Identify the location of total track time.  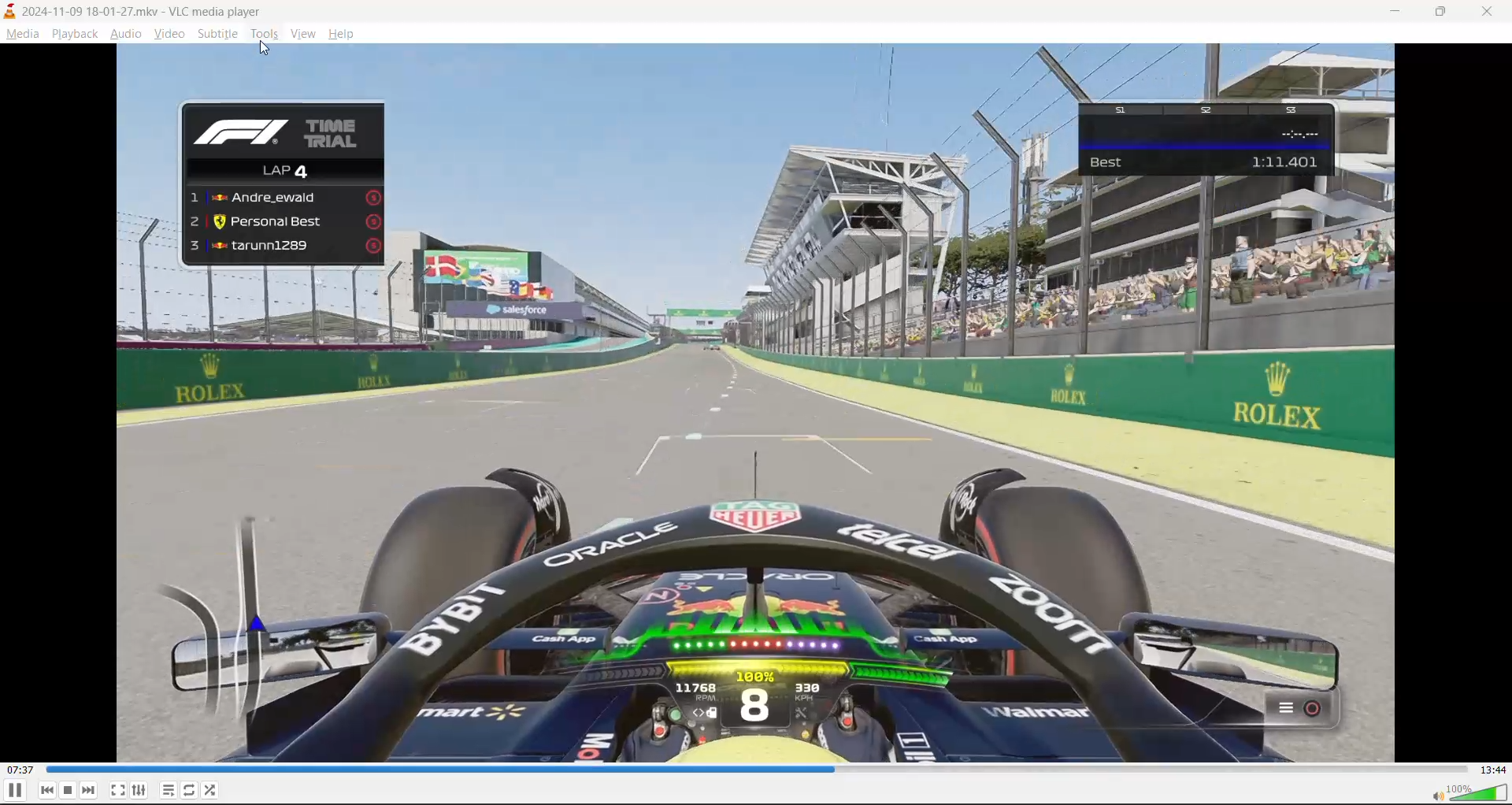
(1493, 770).